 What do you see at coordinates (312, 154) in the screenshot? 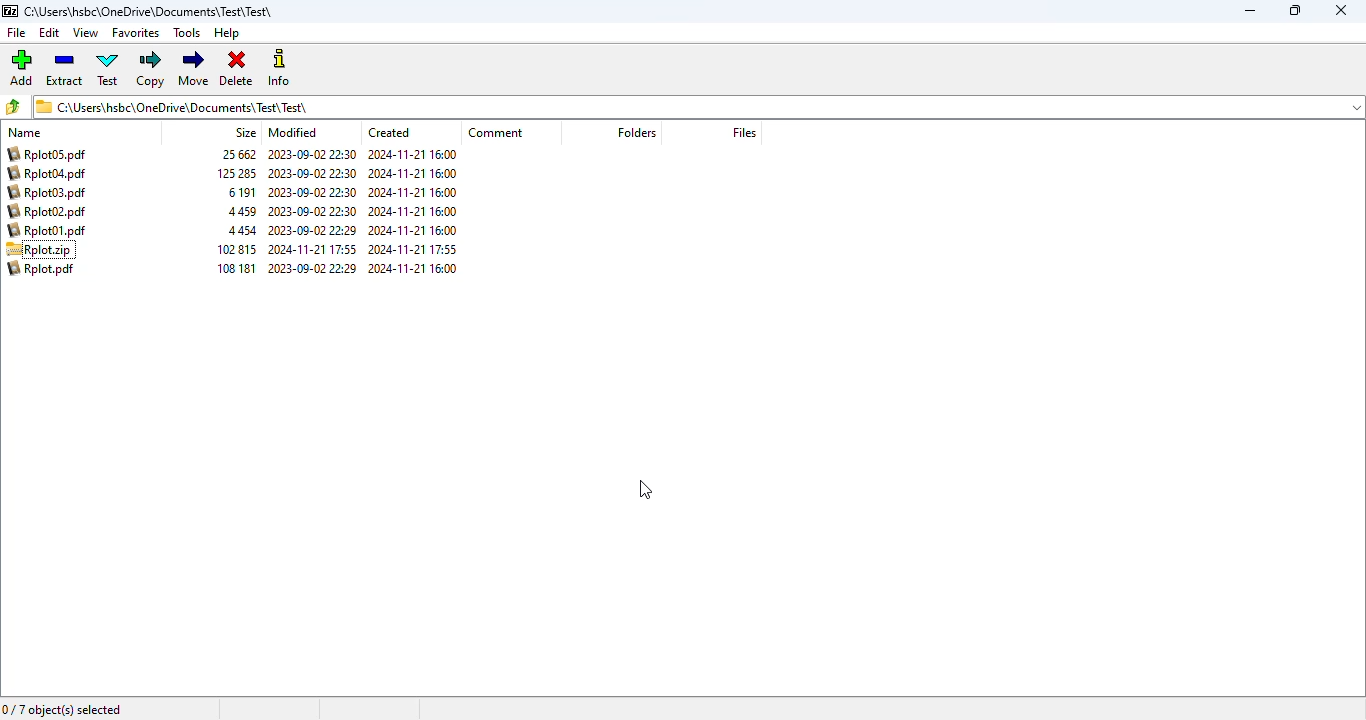
I see `2023-09-02 22:30` at bounding box center [312, 154].